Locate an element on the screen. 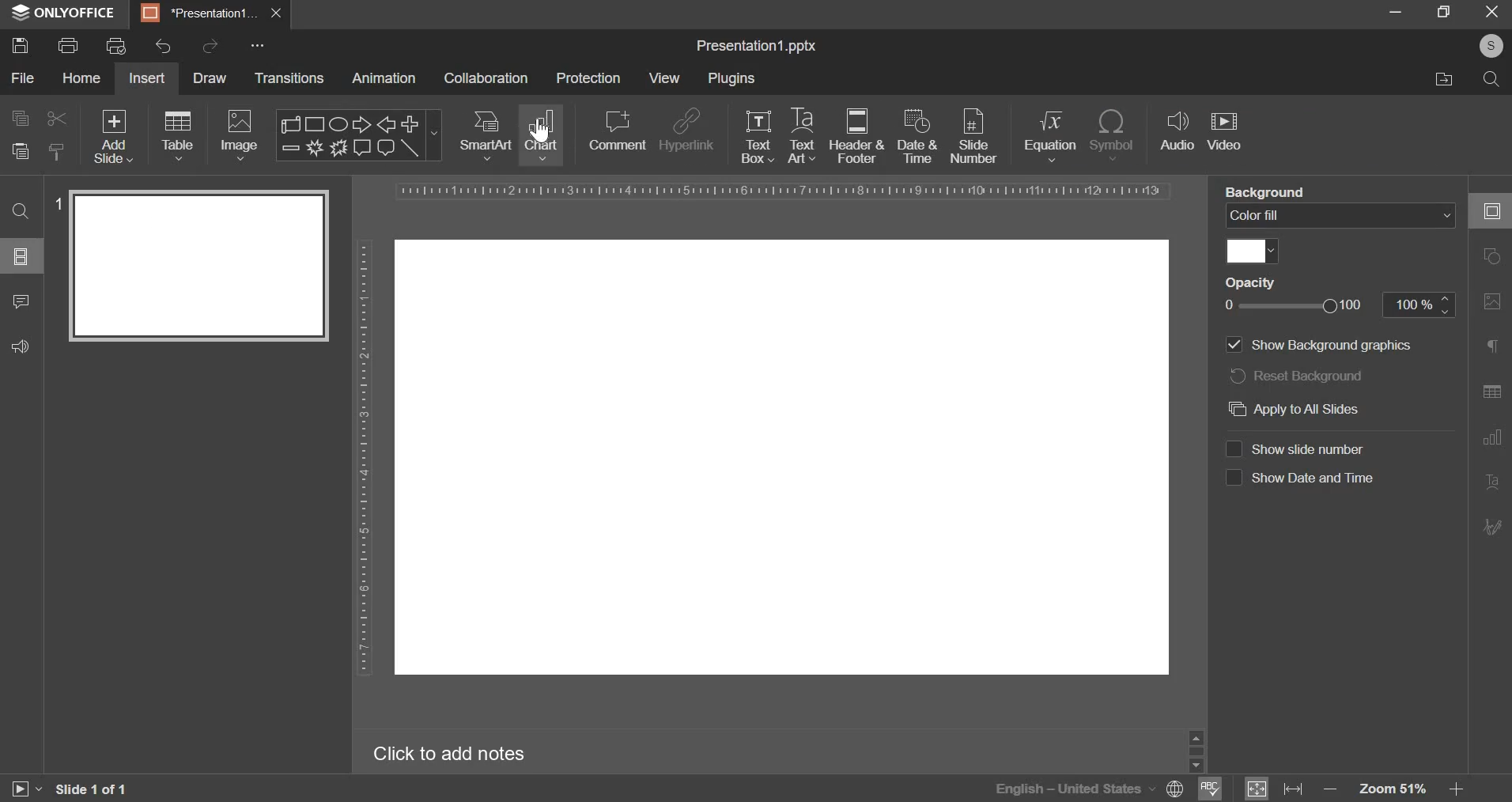 The image size is (1512, 802). opacity is located at coordinates (1254, 283).